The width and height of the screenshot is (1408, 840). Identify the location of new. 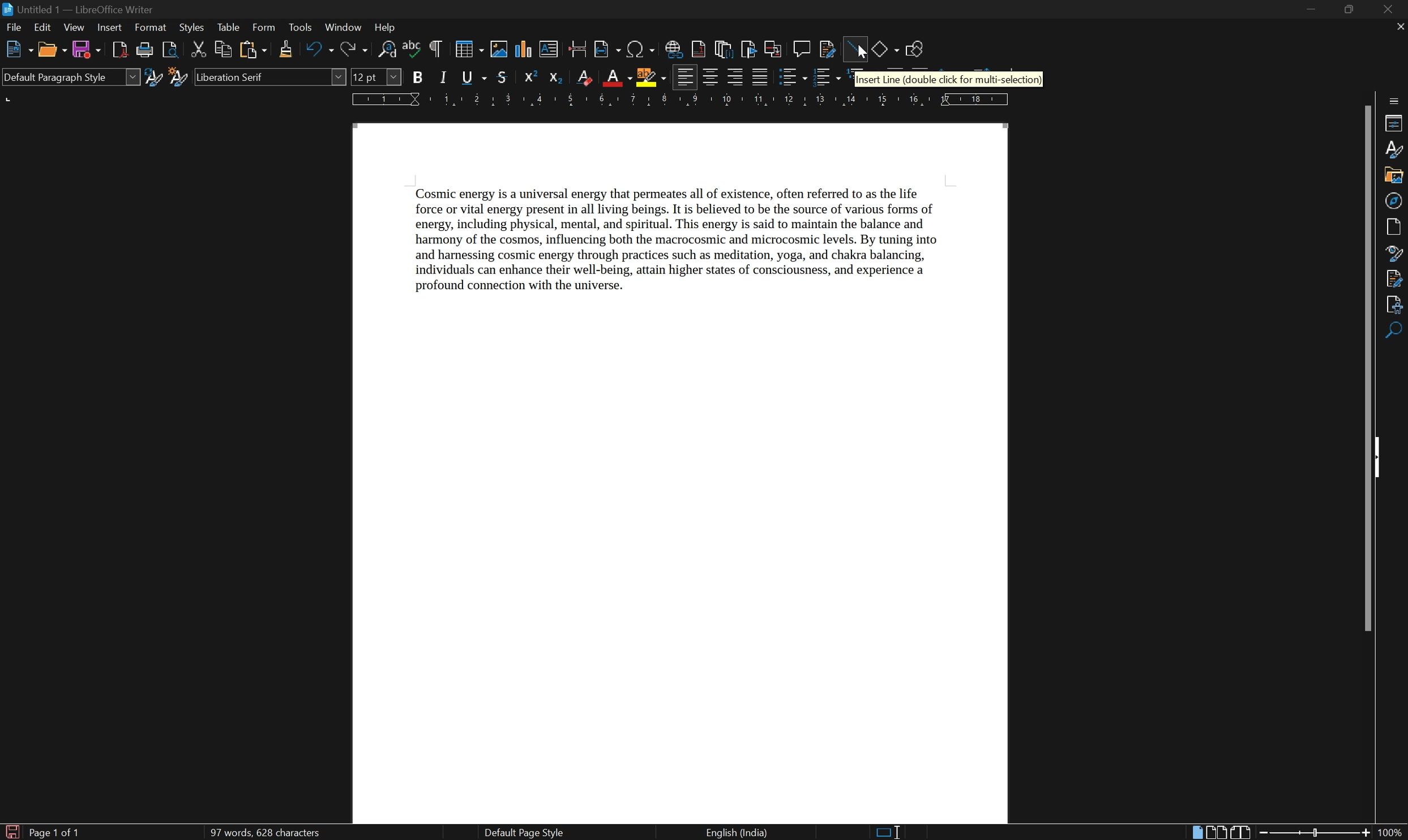
(19, 51).